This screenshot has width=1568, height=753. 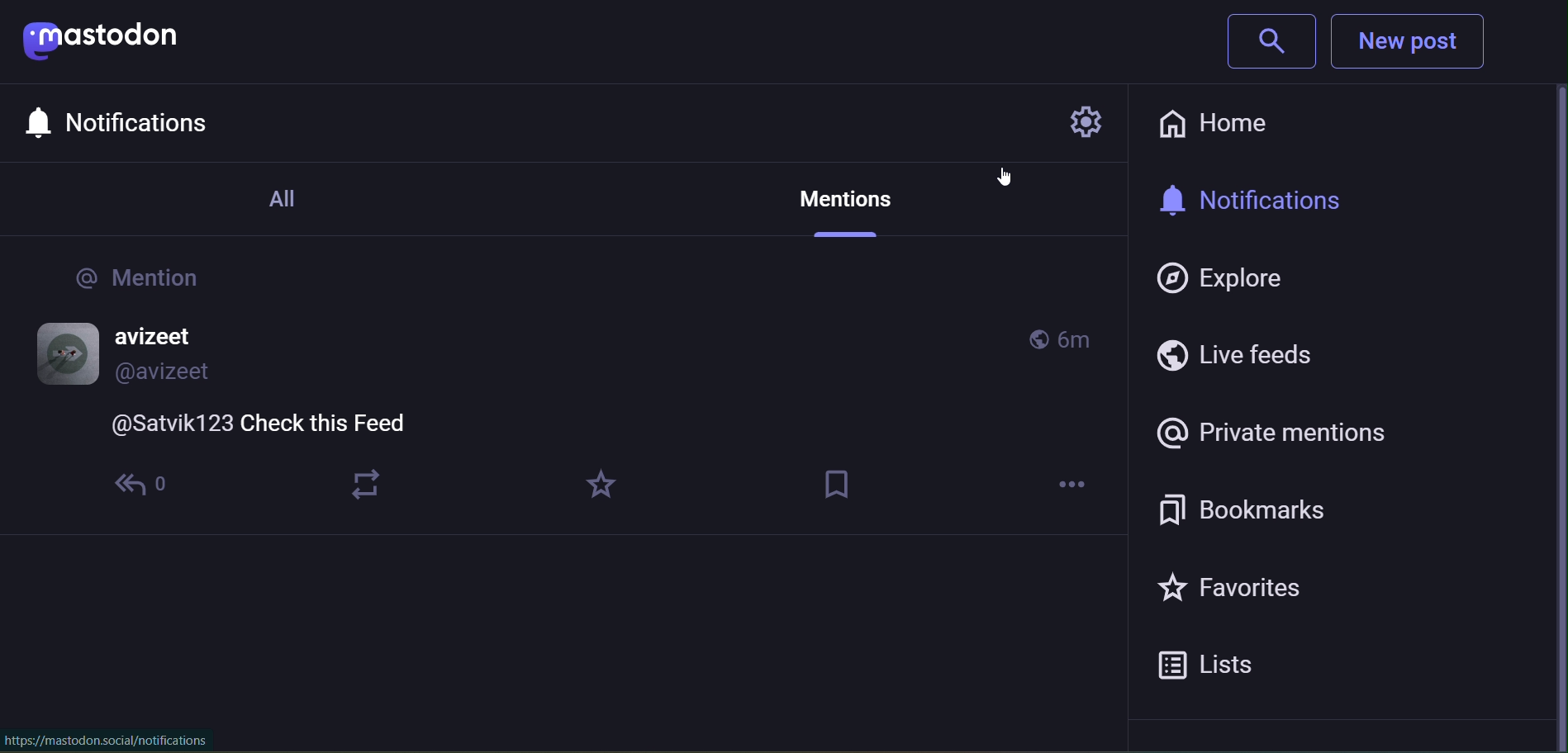 I want to click on @Mentions, so click(x=152, y=278).